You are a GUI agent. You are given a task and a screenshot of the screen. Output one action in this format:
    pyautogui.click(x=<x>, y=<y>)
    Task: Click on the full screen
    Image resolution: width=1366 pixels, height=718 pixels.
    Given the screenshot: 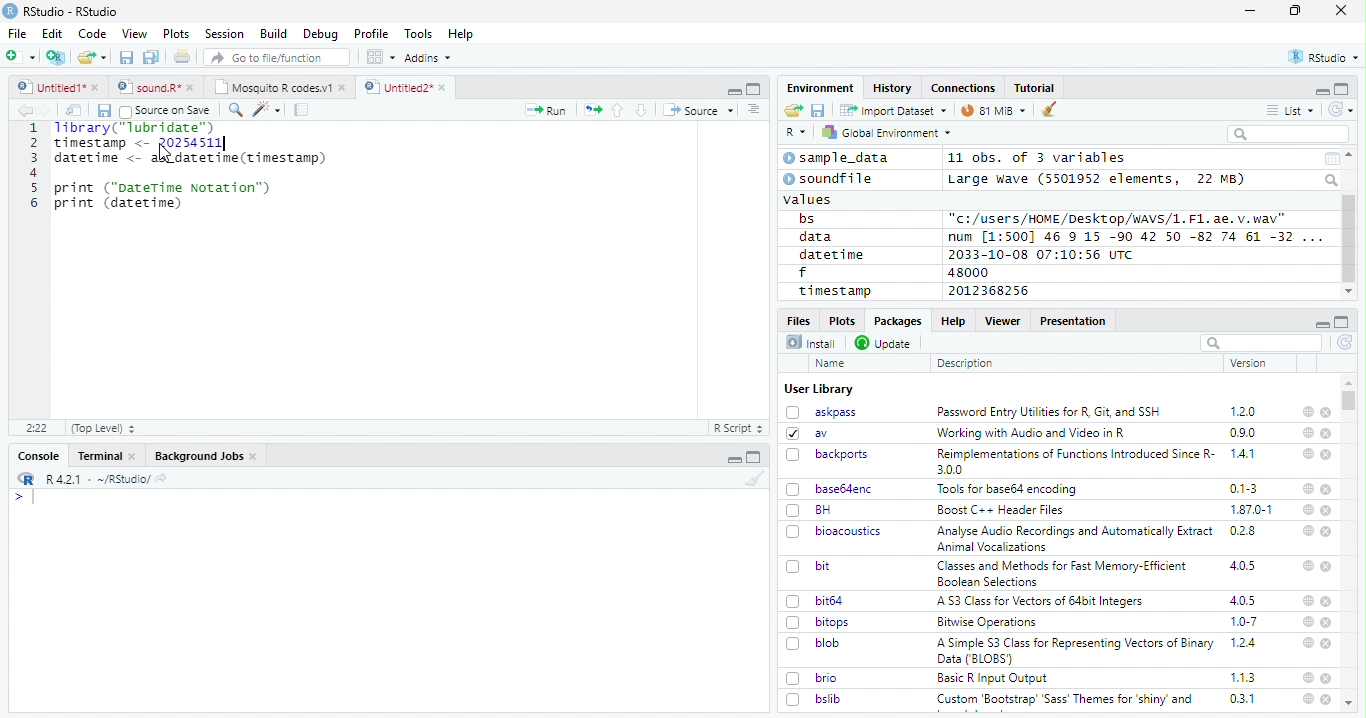 What is the action you would take?
    pyautogui.click(x=1342, y=89)
    